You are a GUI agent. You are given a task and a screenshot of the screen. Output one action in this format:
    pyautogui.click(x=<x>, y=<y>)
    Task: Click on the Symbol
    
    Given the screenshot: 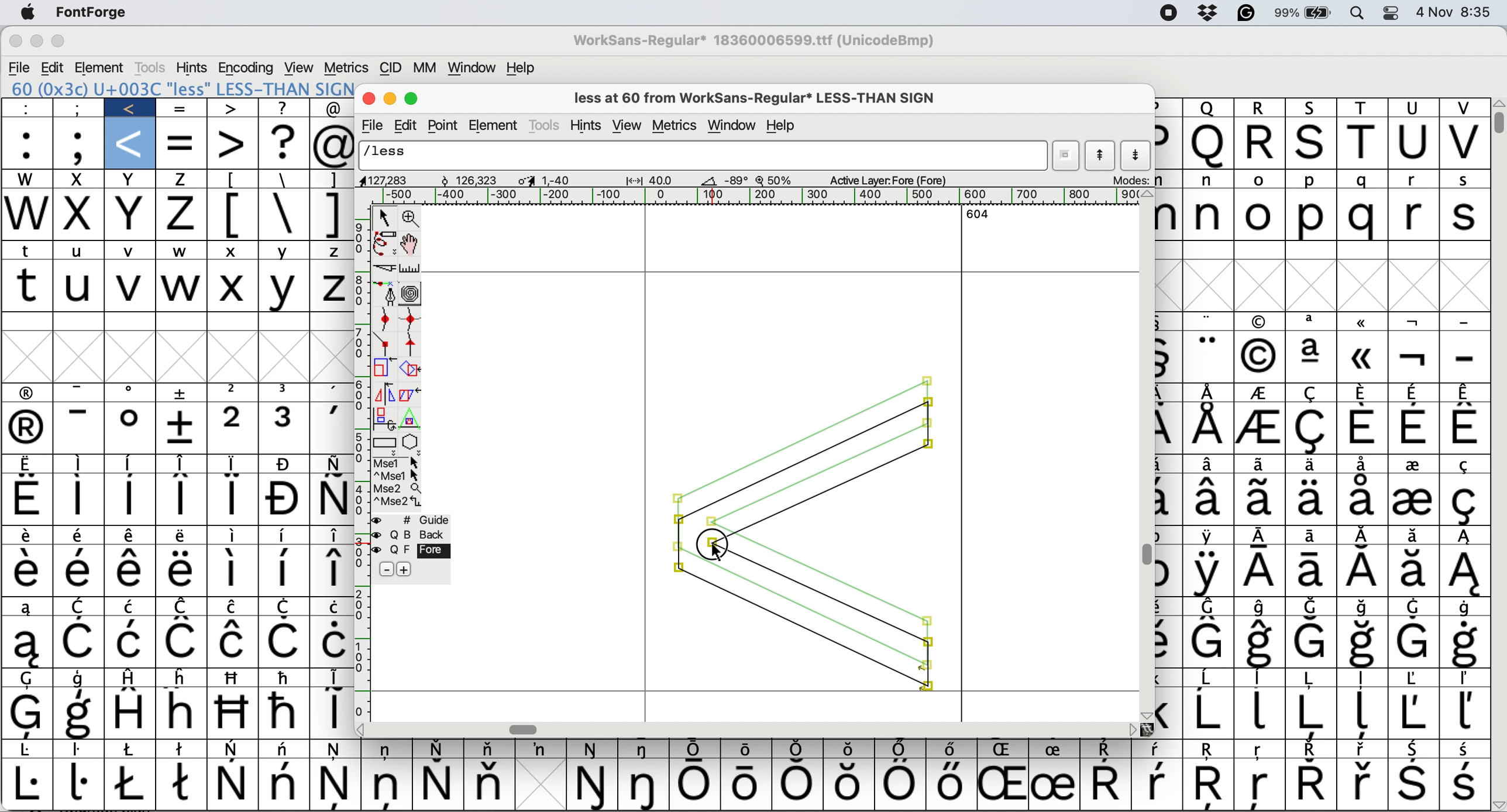 What is the action you would take?
    pyautogui.click(x=951, y=784)
    